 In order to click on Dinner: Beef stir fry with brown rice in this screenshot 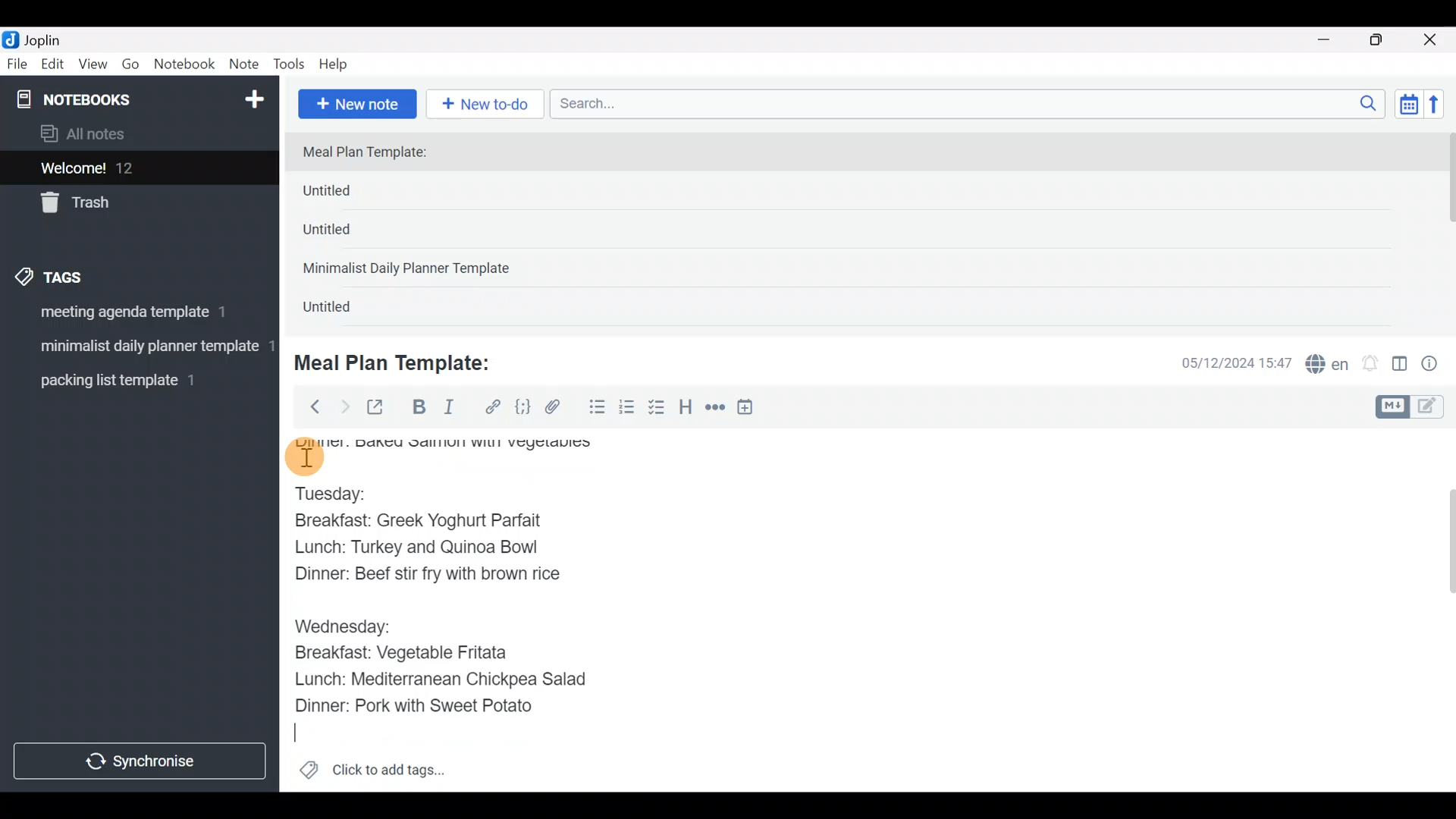, I will do `click(425, 578)`.